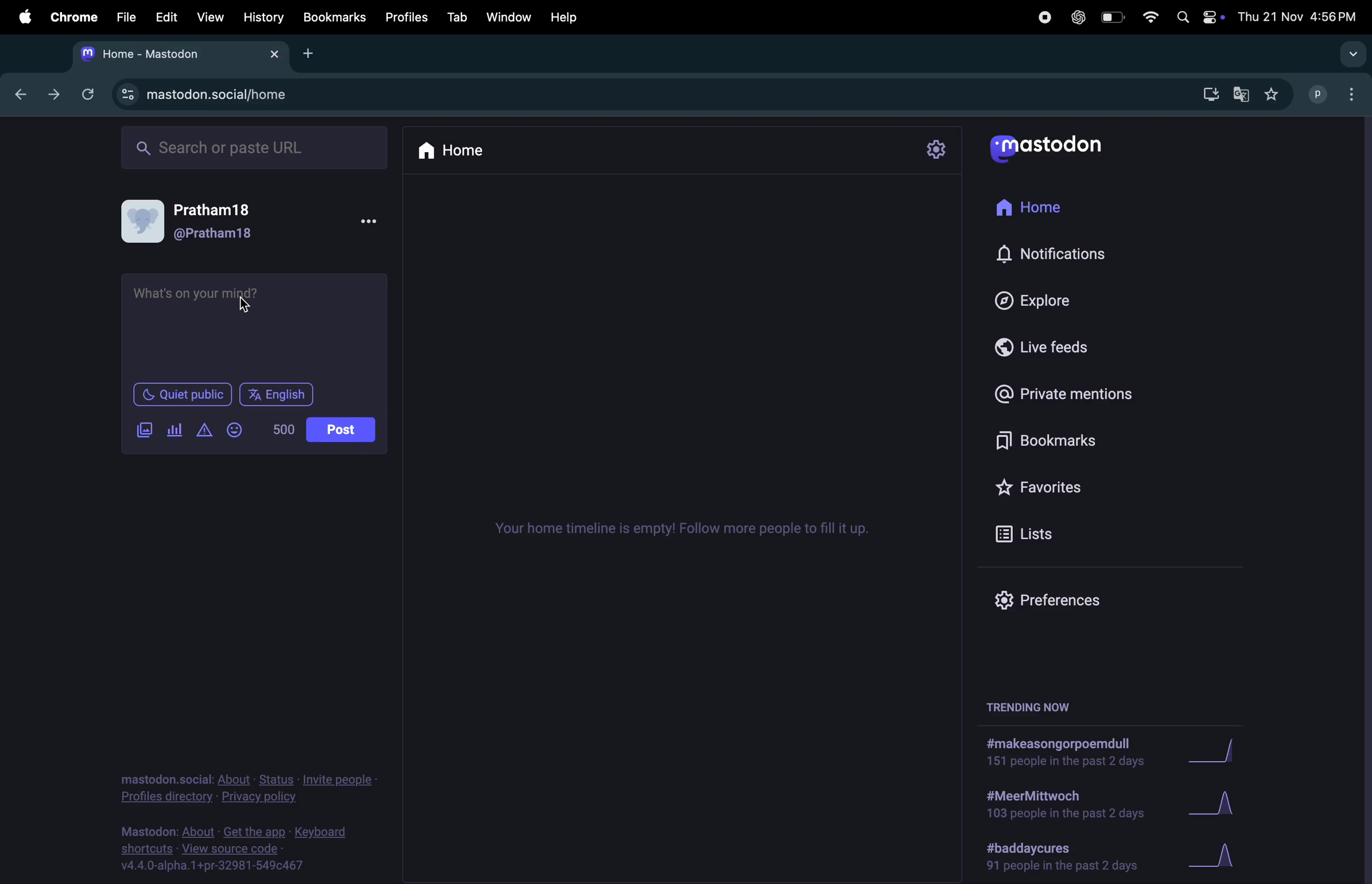 Image resolution: width=1372 pixels, height=884 pixels. I want to click on window, so click(508, 17).